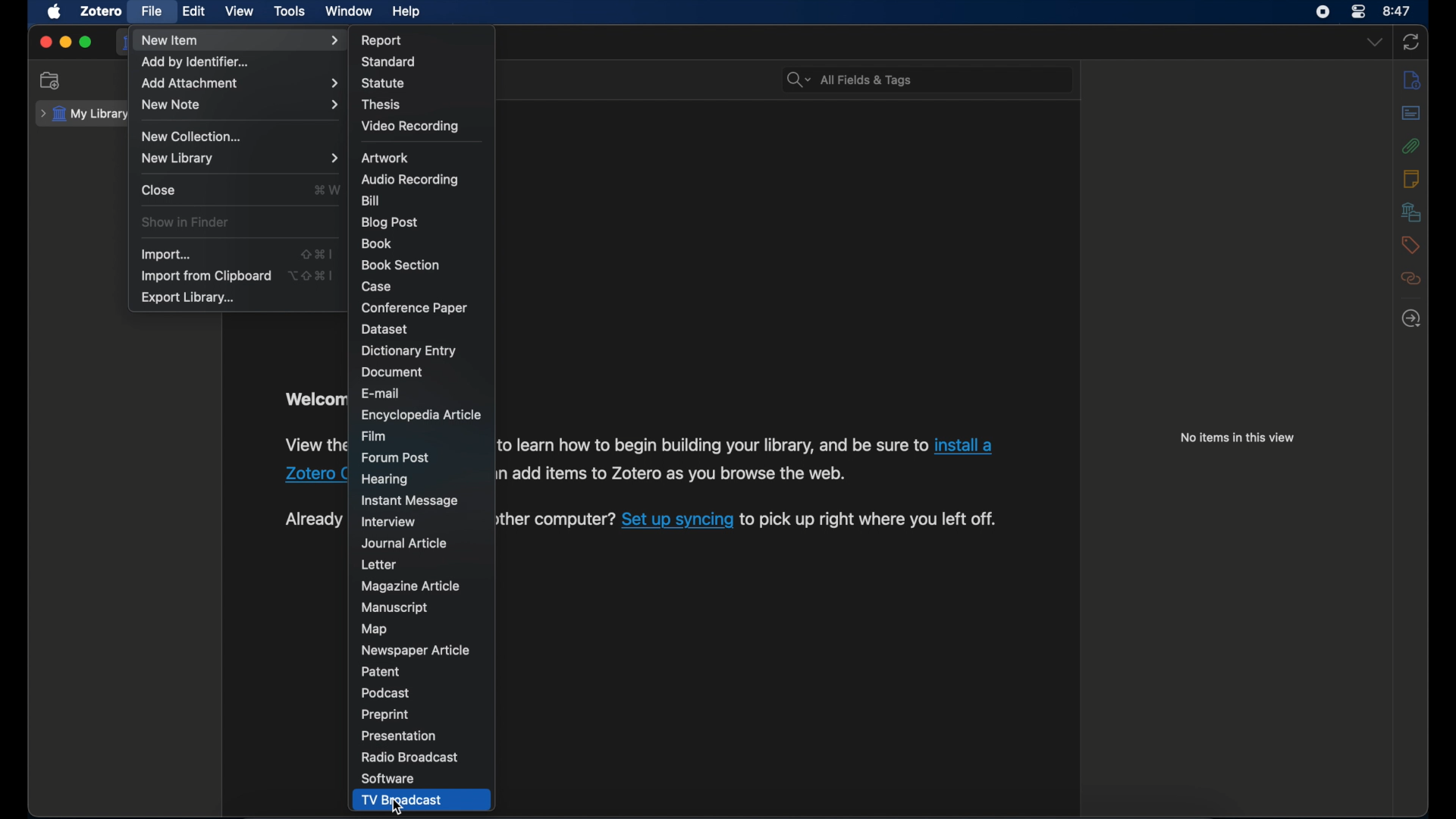 This screenshot has height=819, width=1456. Describe the element at coordinates (152, 12) in the screenshot. I see `file` at that location.